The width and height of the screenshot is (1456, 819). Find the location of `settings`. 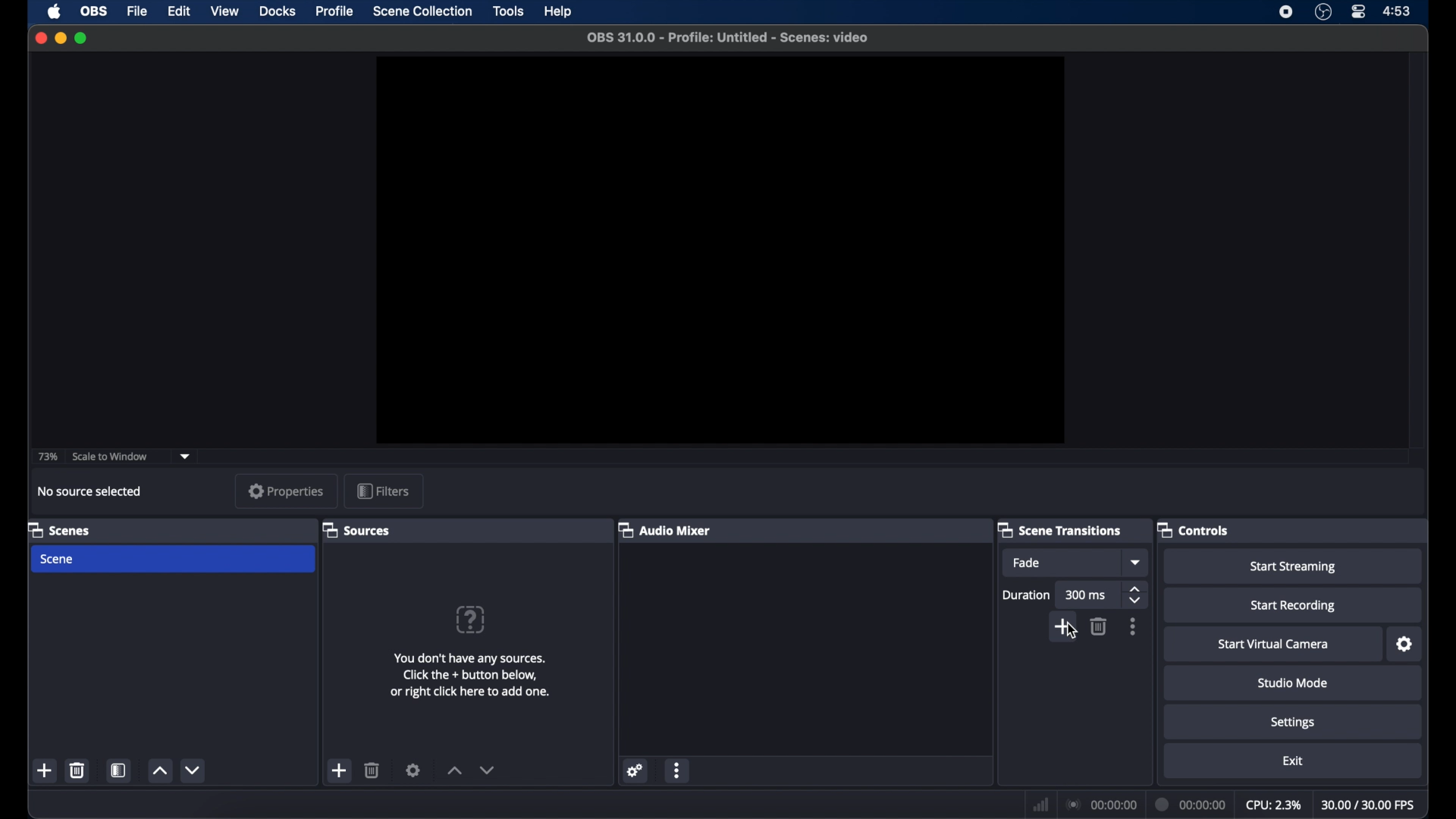

settings is located at coordinates (413, 770).